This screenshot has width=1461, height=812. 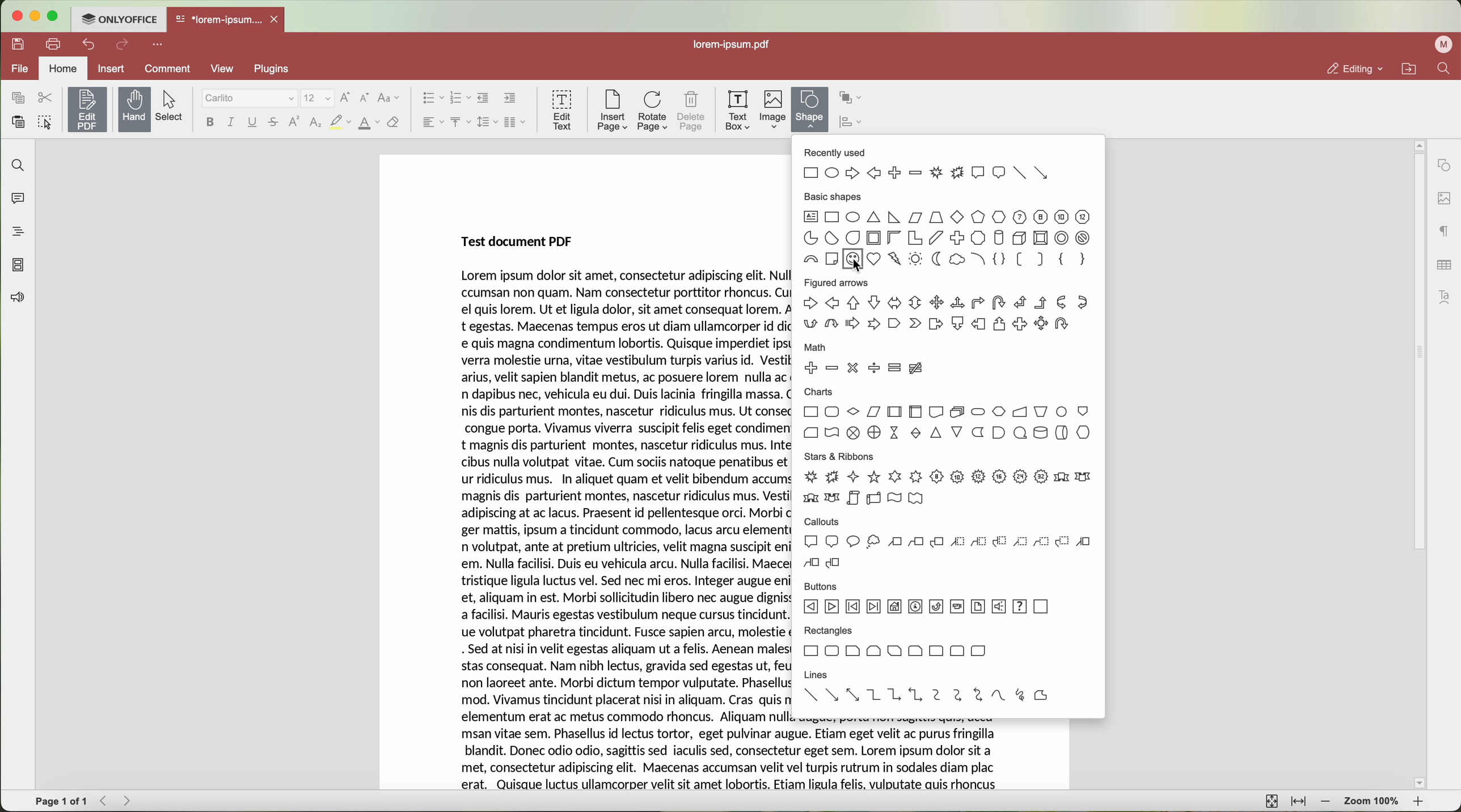 What do you see at coordinates (1328, 803) in the screenshot?
I see `zoom out` at bounding box center [1328, 803].